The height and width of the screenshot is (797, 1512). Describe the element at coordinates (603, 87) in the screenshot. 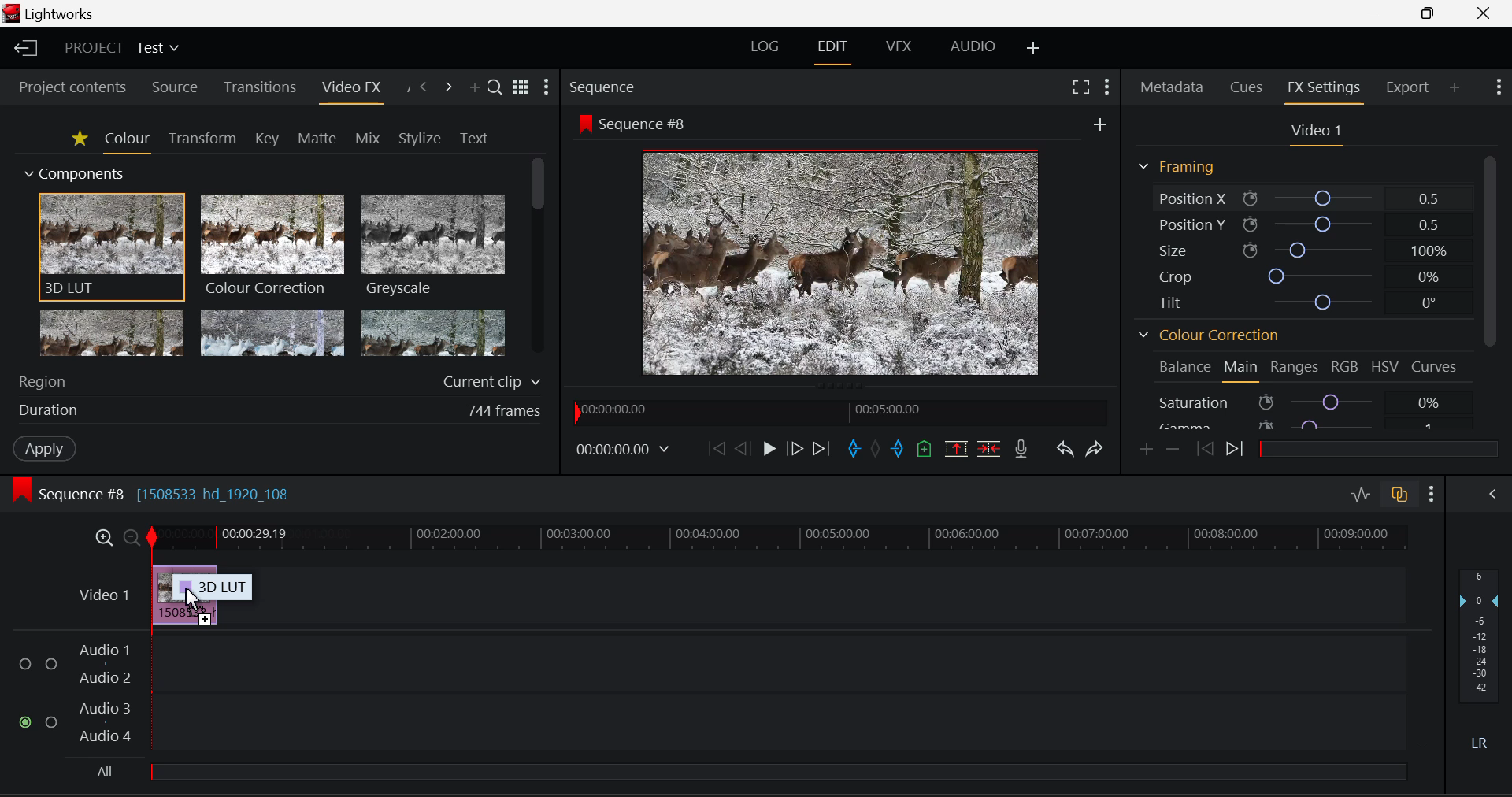

I see `Sequence Preview Section` at that location.